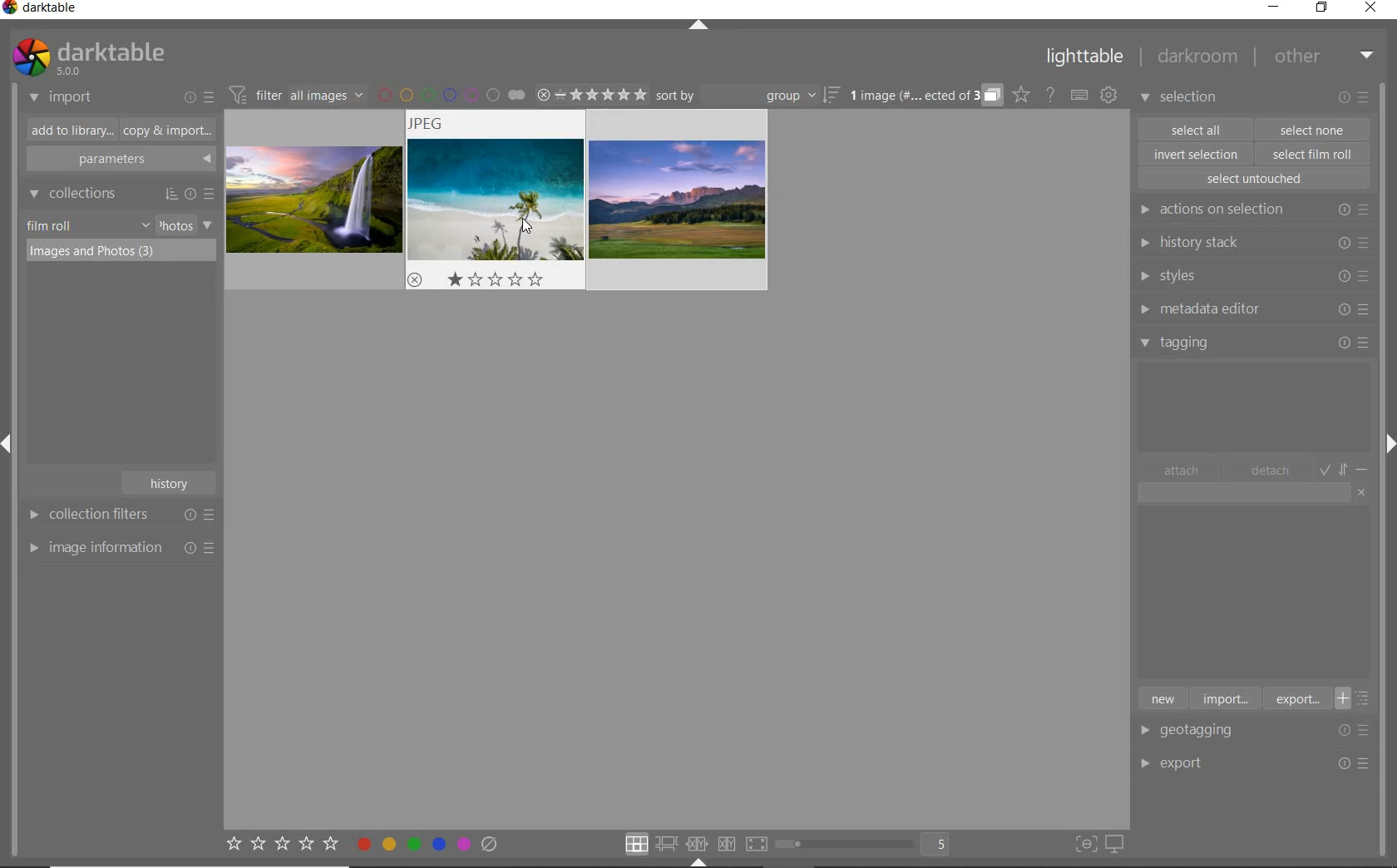  Describe the element at coordinates (868, 846) in the screenshot. I see `toggle view` at that location.